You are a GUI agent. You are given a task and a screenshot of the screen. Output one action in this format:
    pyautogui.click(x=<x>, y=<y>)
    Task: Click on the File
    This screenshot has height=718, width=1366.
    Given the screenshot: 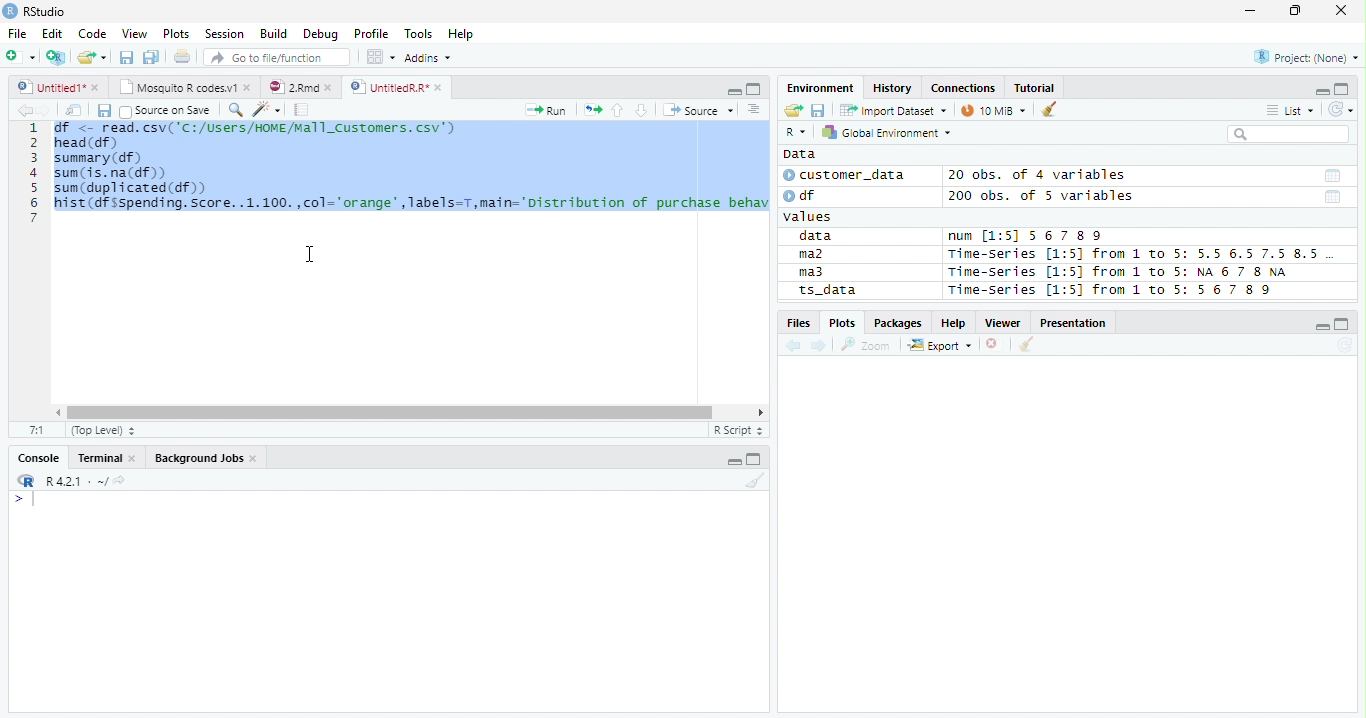 What is the action you would take?
    pyautogui.click(x=16, y=33)
    